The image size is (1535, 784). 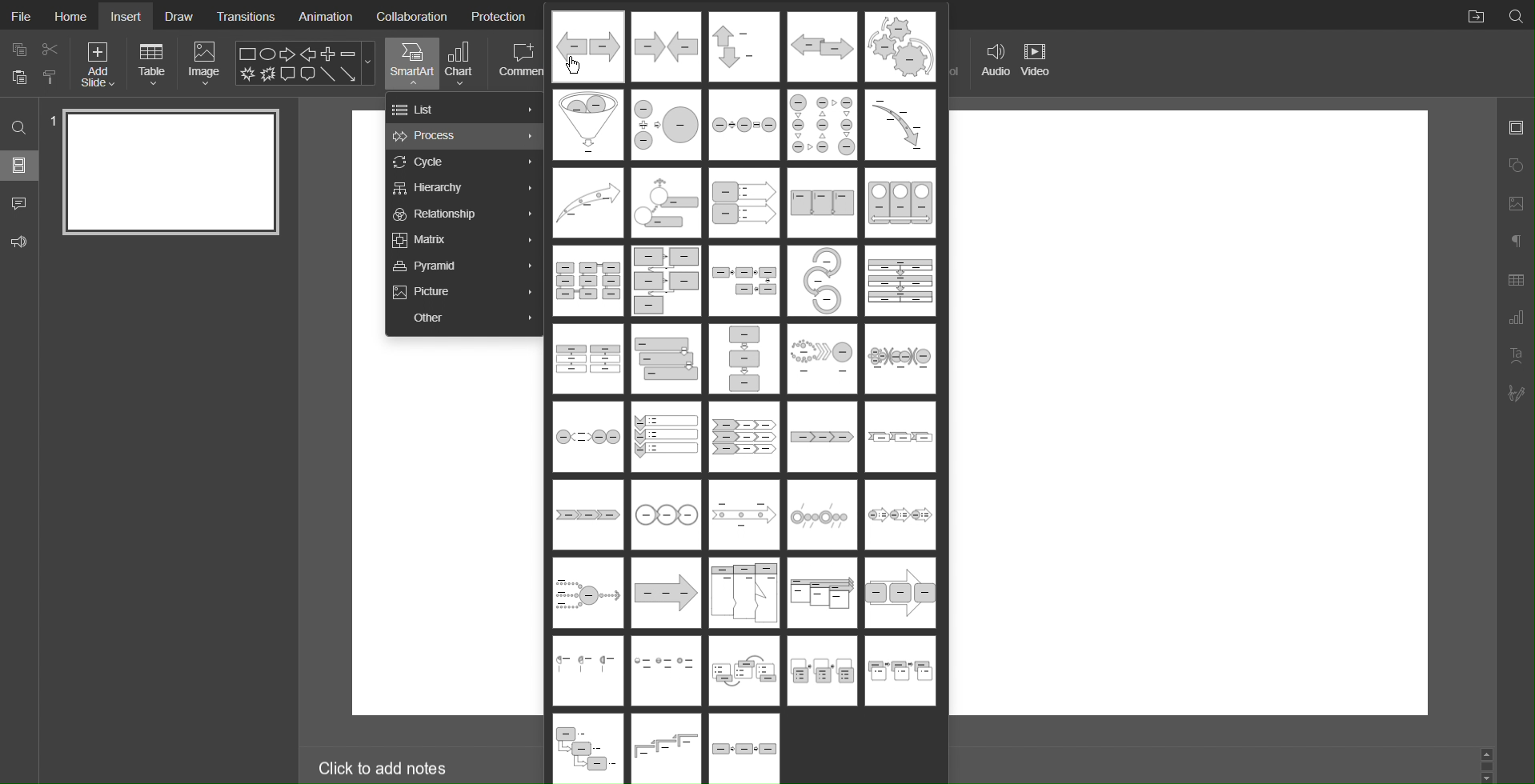 What do you see at coordinates (742, 202) in the screenshot?
I see `Process Template 11-15` at bounding box center [742, 202].